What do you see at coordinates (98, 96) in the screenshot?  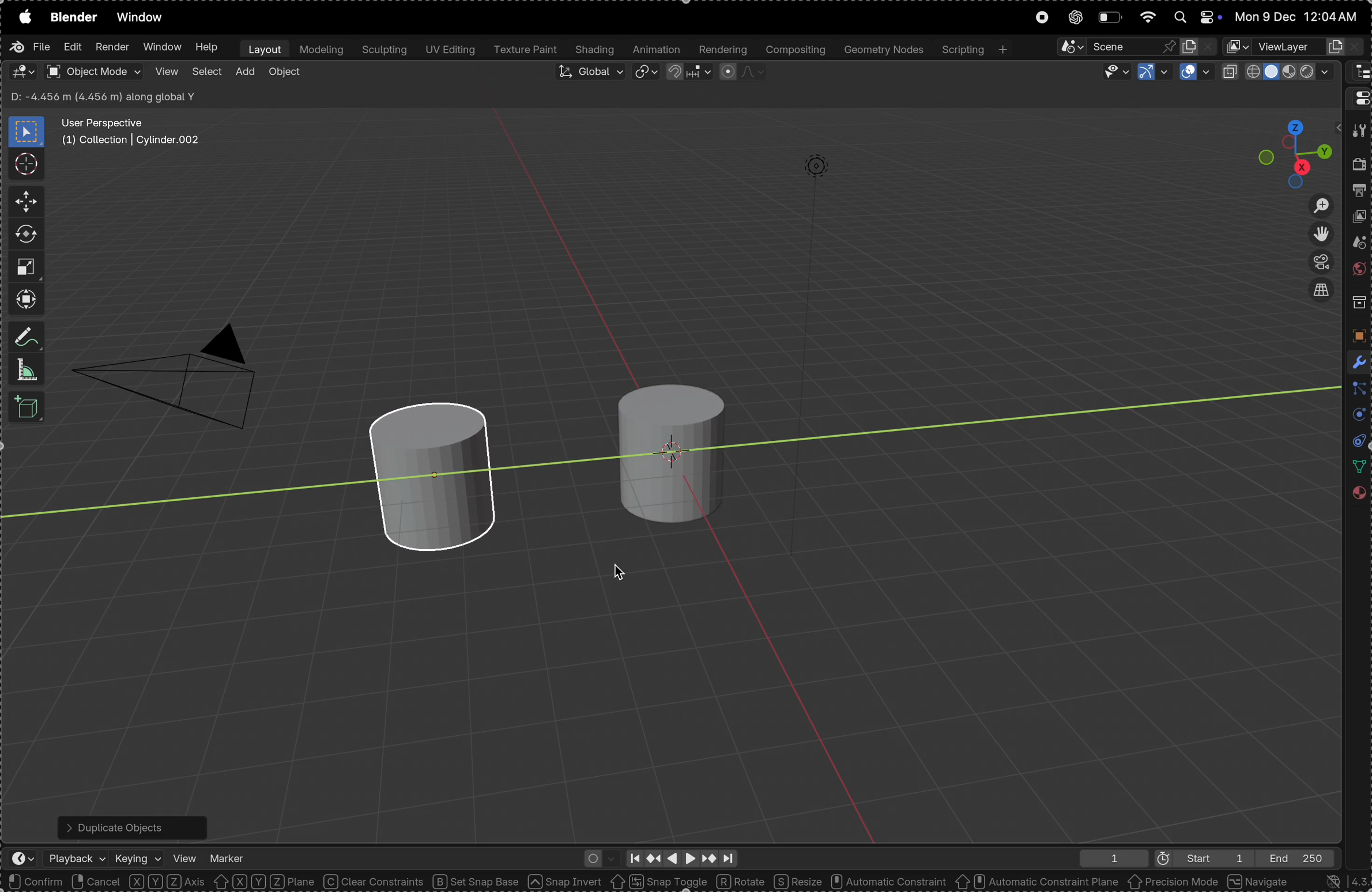 I see `modes` at bounding box center [98, 96].